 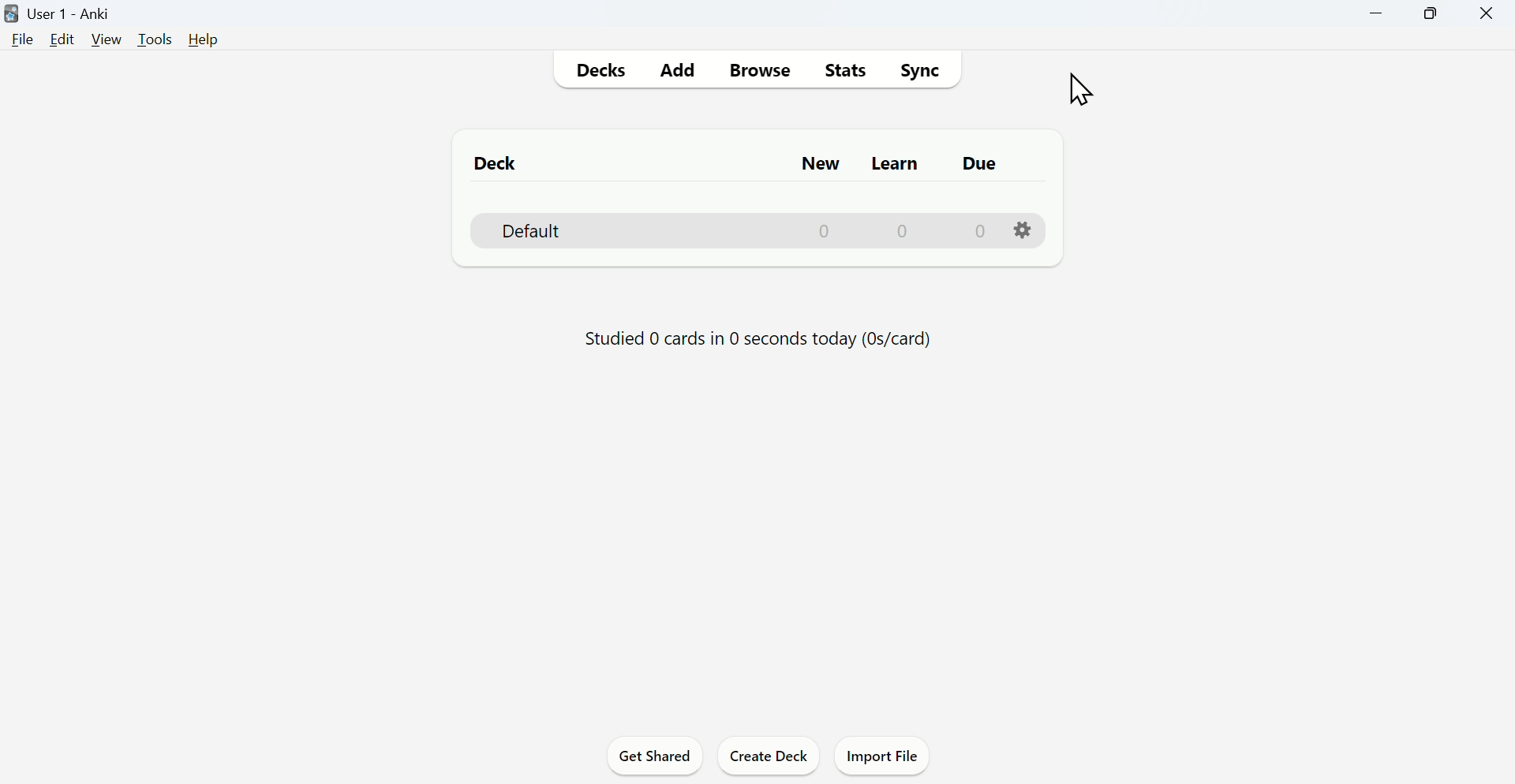 I want to click on File, so click(x=20, y=40).